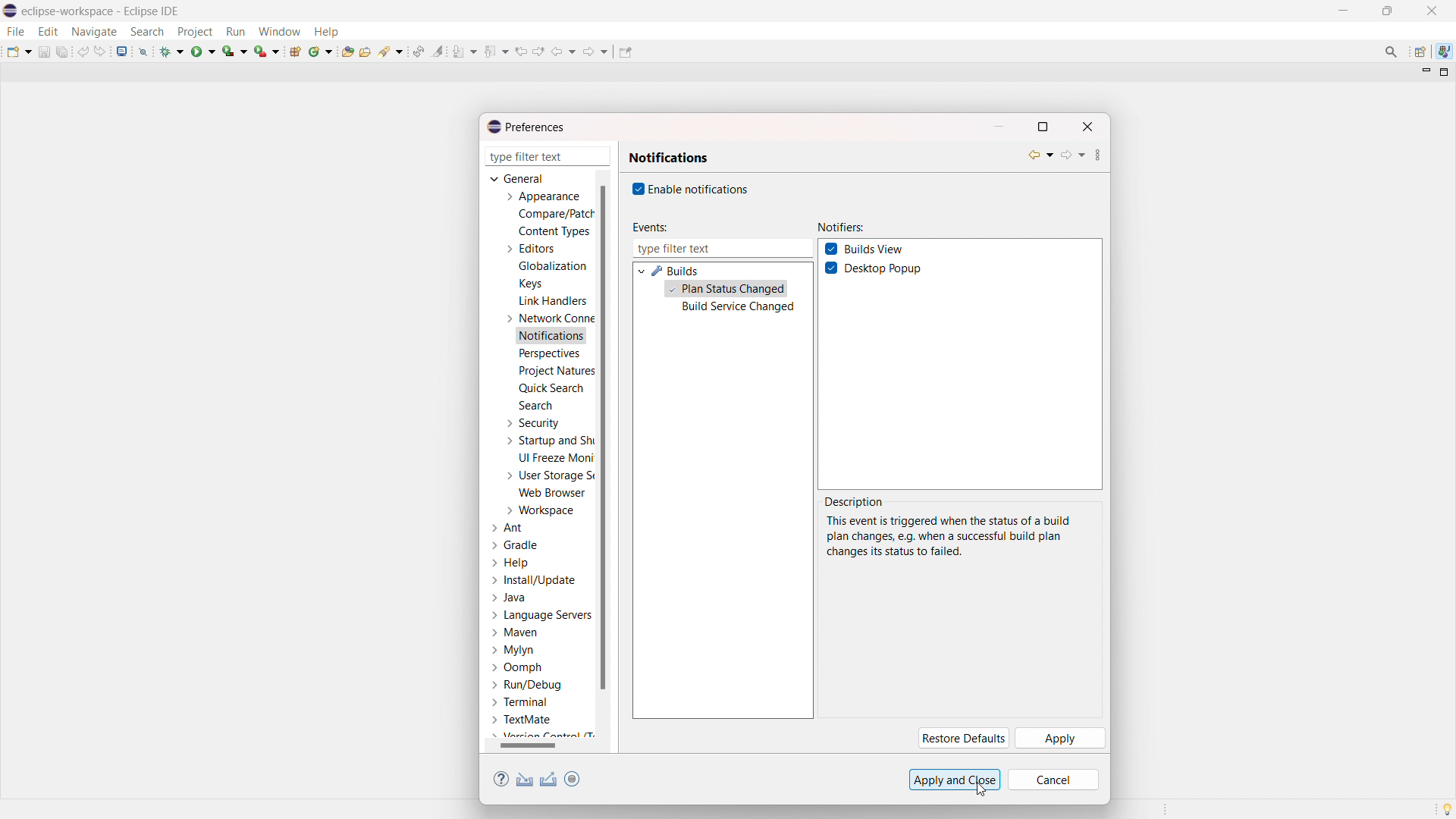 Image resolution: width=1456 pixels, height=819 pixels. I want to click on help, so click(511, 563).